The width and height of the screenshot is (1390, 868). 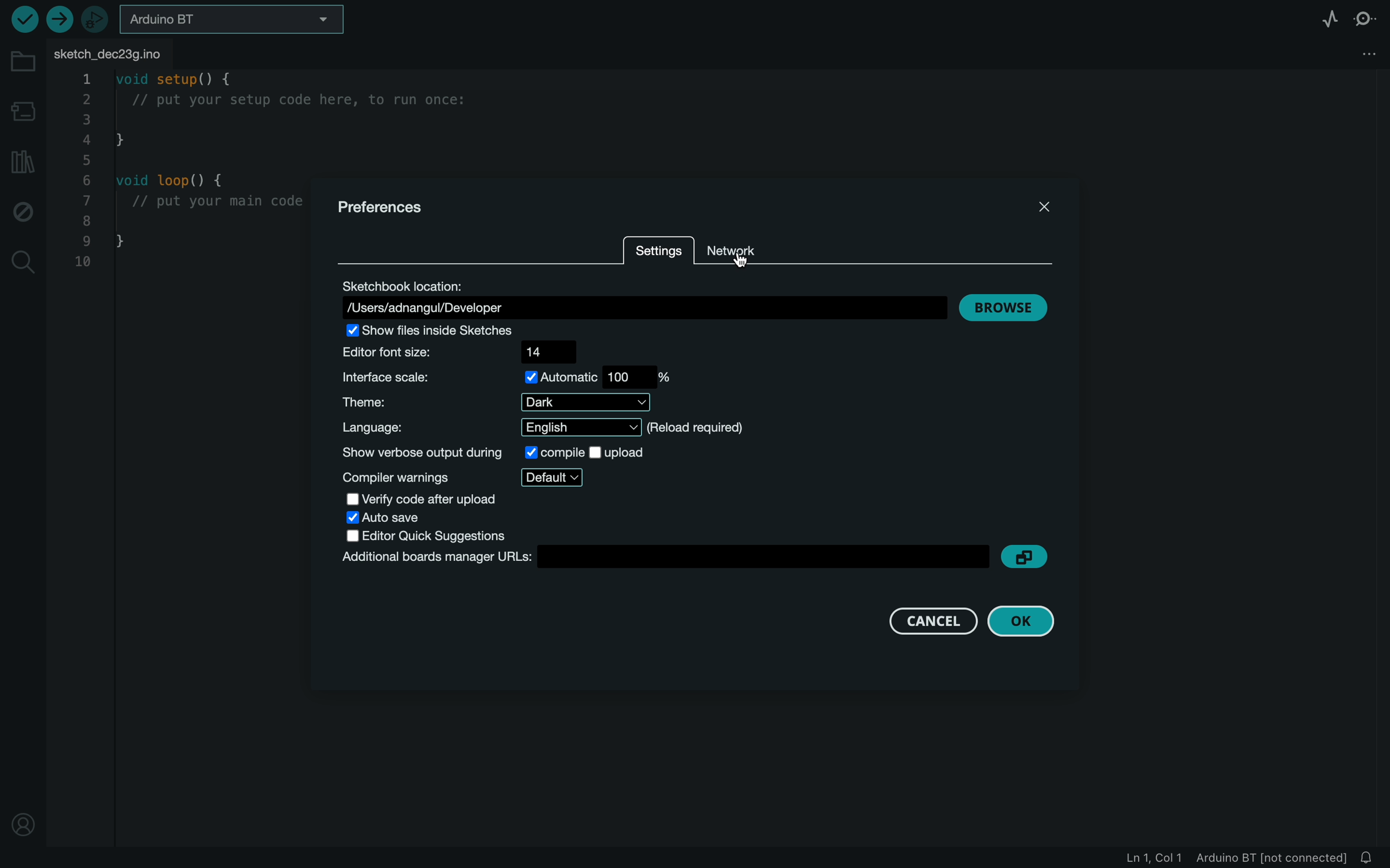 What do you see at coordinates (23, 61) in the screenshot?
I see `folder` at bounding box center [23, 61].